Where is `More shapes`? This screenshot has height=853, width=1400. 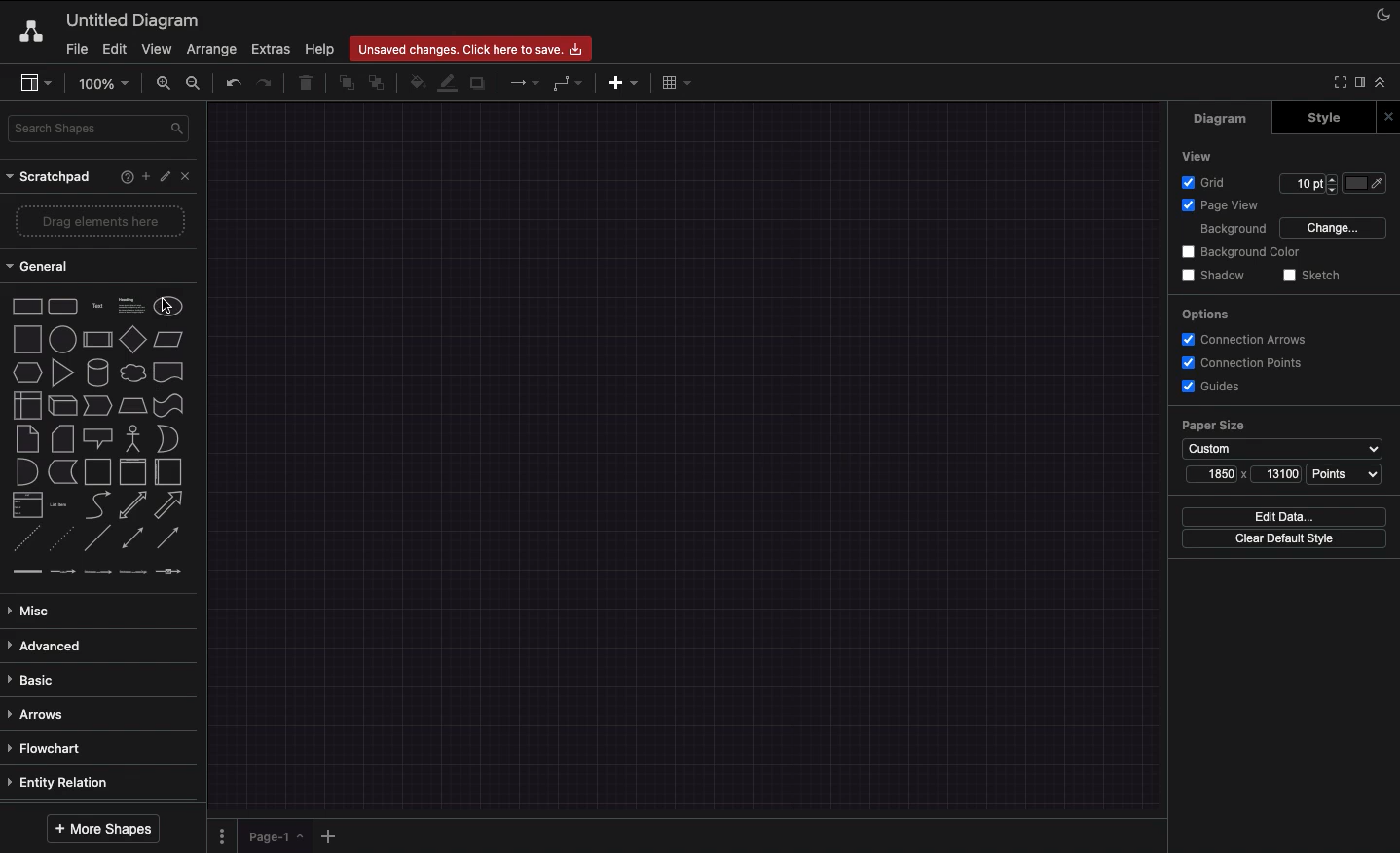
More shapes is located at coordinates (101, 829).